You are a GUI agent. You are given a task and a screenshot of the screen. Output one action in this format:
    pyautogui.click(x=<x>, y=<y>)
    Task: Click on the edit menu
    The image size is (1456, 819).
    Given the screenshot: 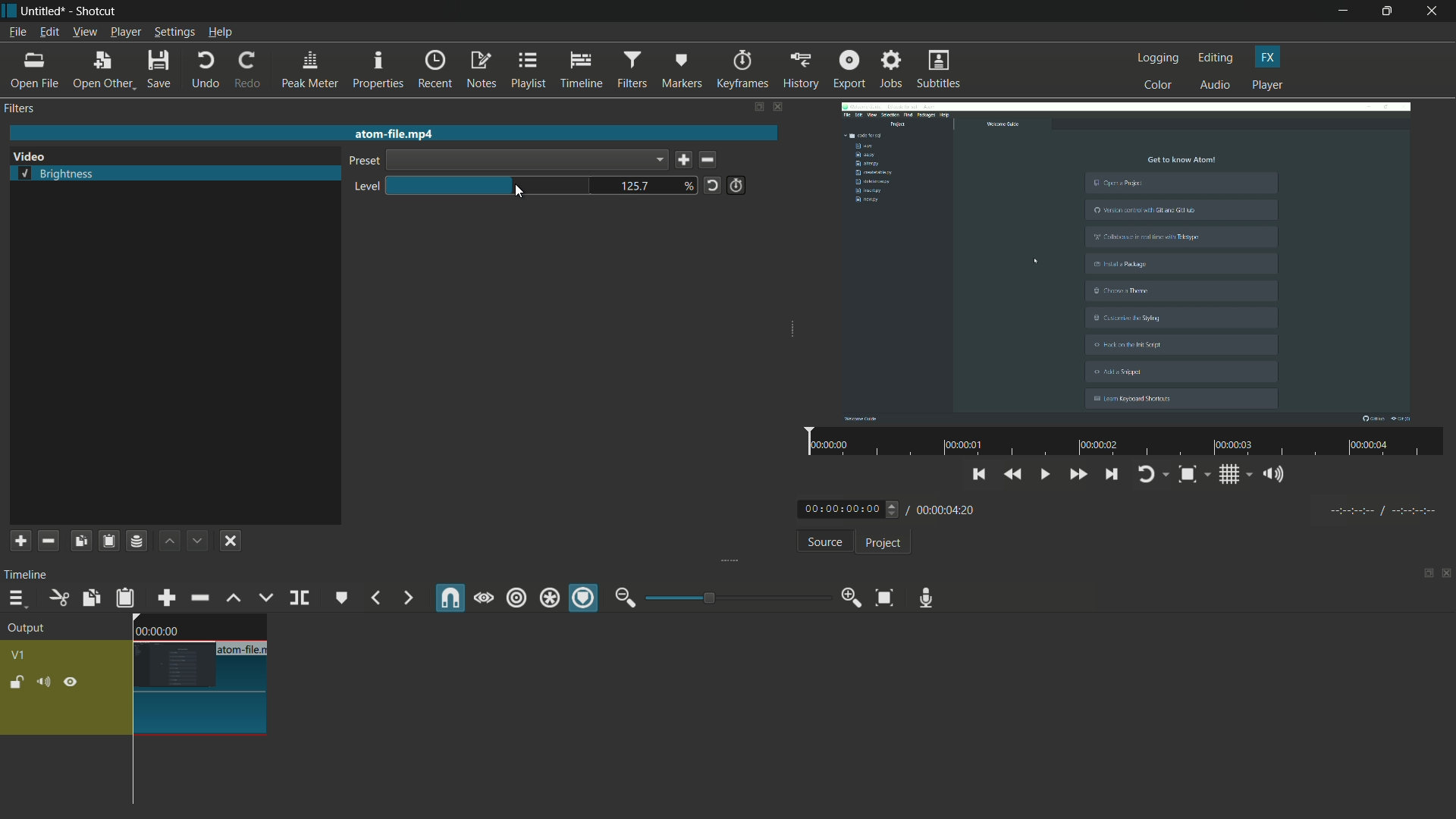 What is the action you would take?
    pyautogui.click(x=47, y=33)
    